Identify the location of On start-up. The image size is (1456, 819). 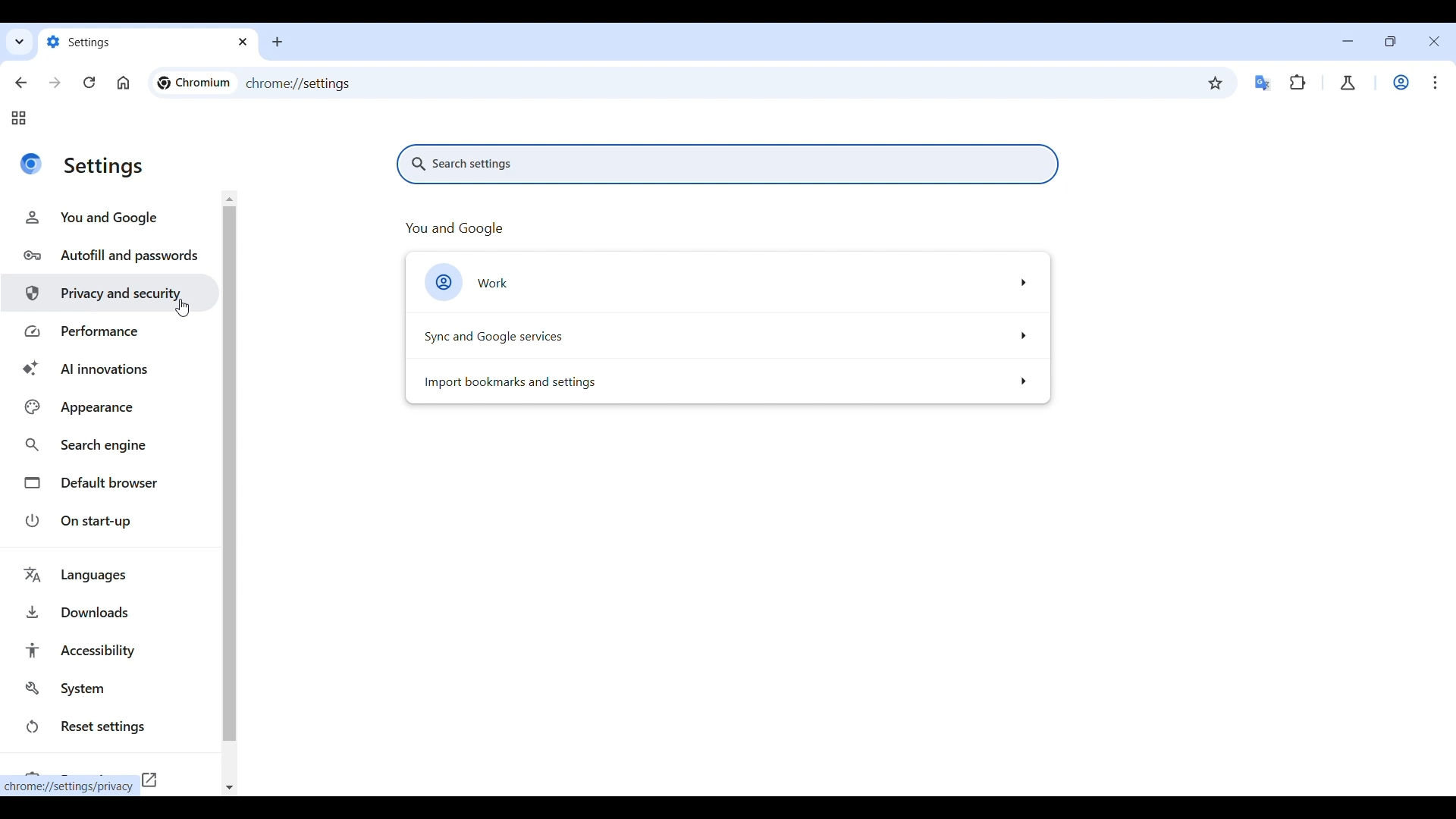
(109, 520).